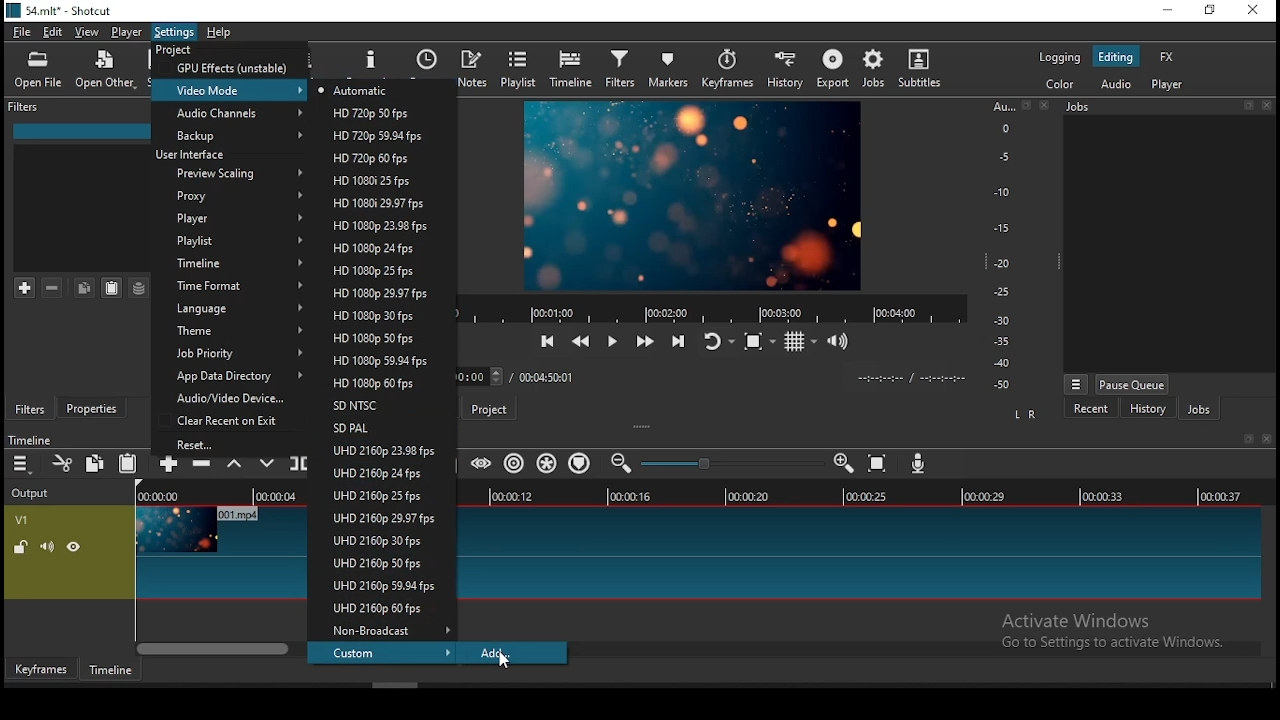 This screenshot has height=720, width=1280. Describe the element at coordinates (1169, 58) in the screenshot. I see `fx` at that location.